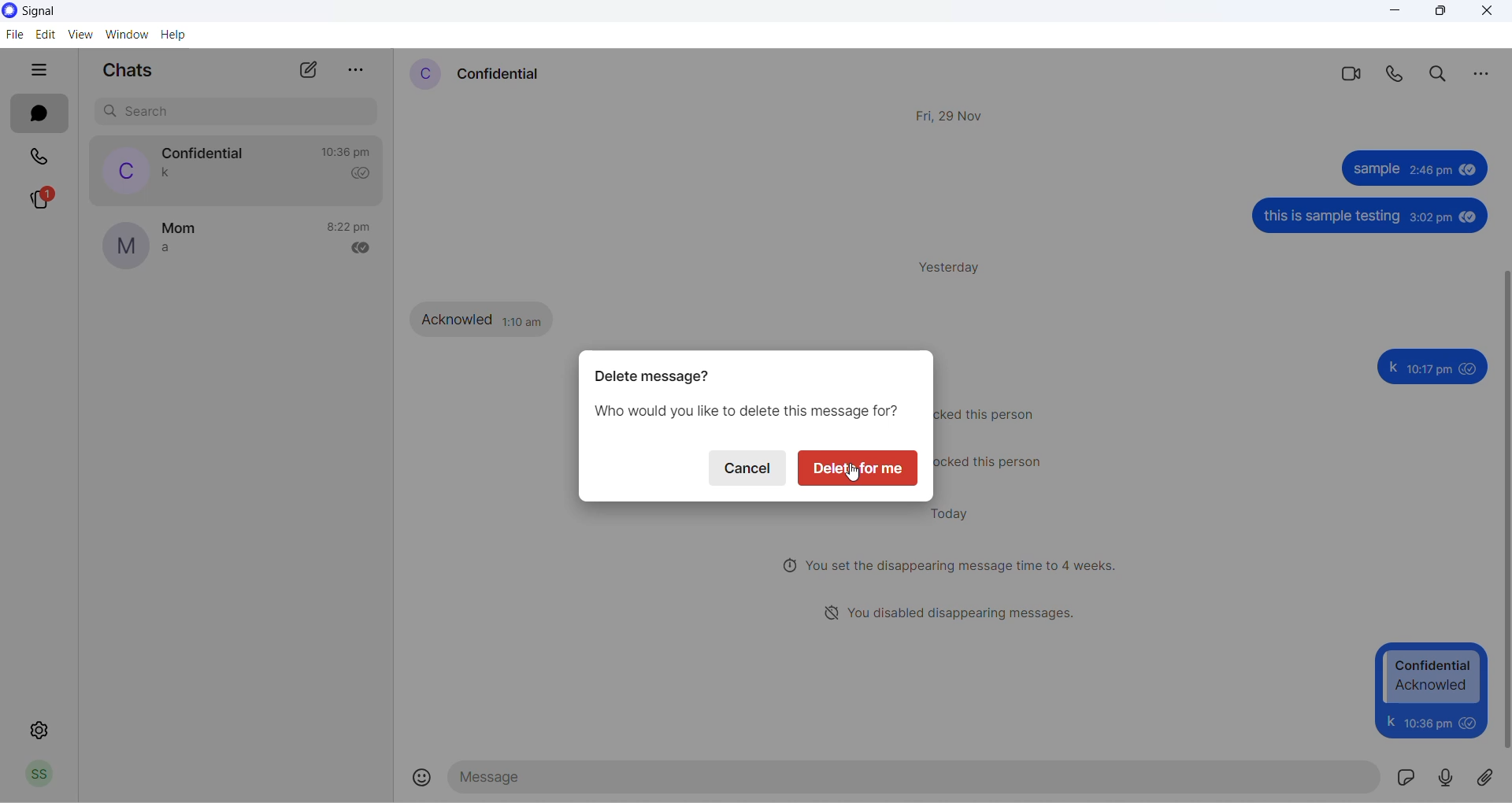 The height and width of the screenshot is (803, 1512). What do you see at coordinates (957, 269) in the screenshot?
I see `yesterday heading` at bounding box center [957, 269].